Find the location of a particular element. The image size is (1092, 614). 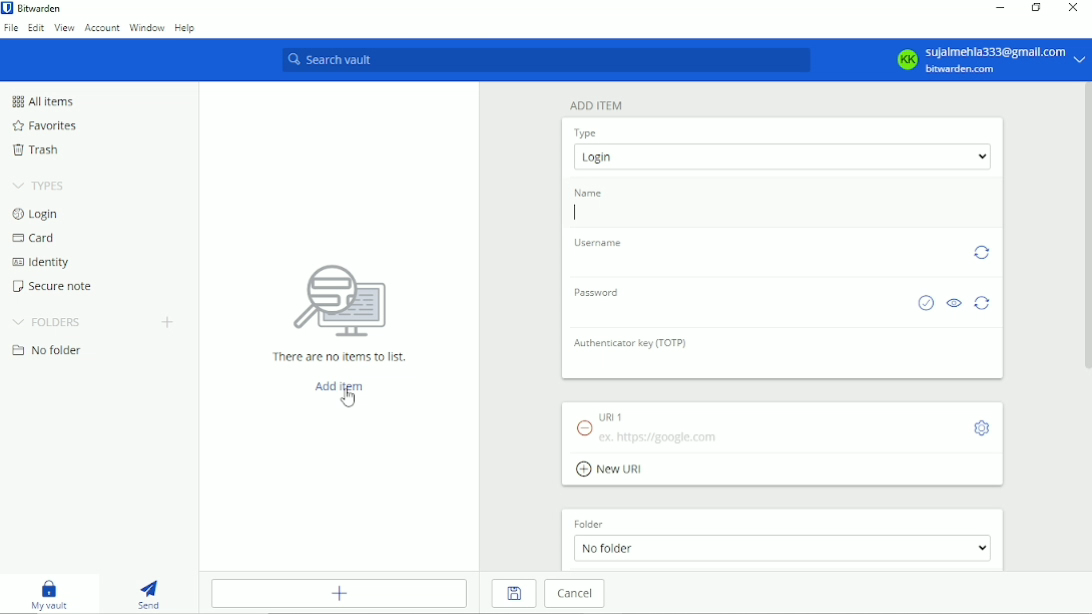

enter name is located at coordinates (781, 213).